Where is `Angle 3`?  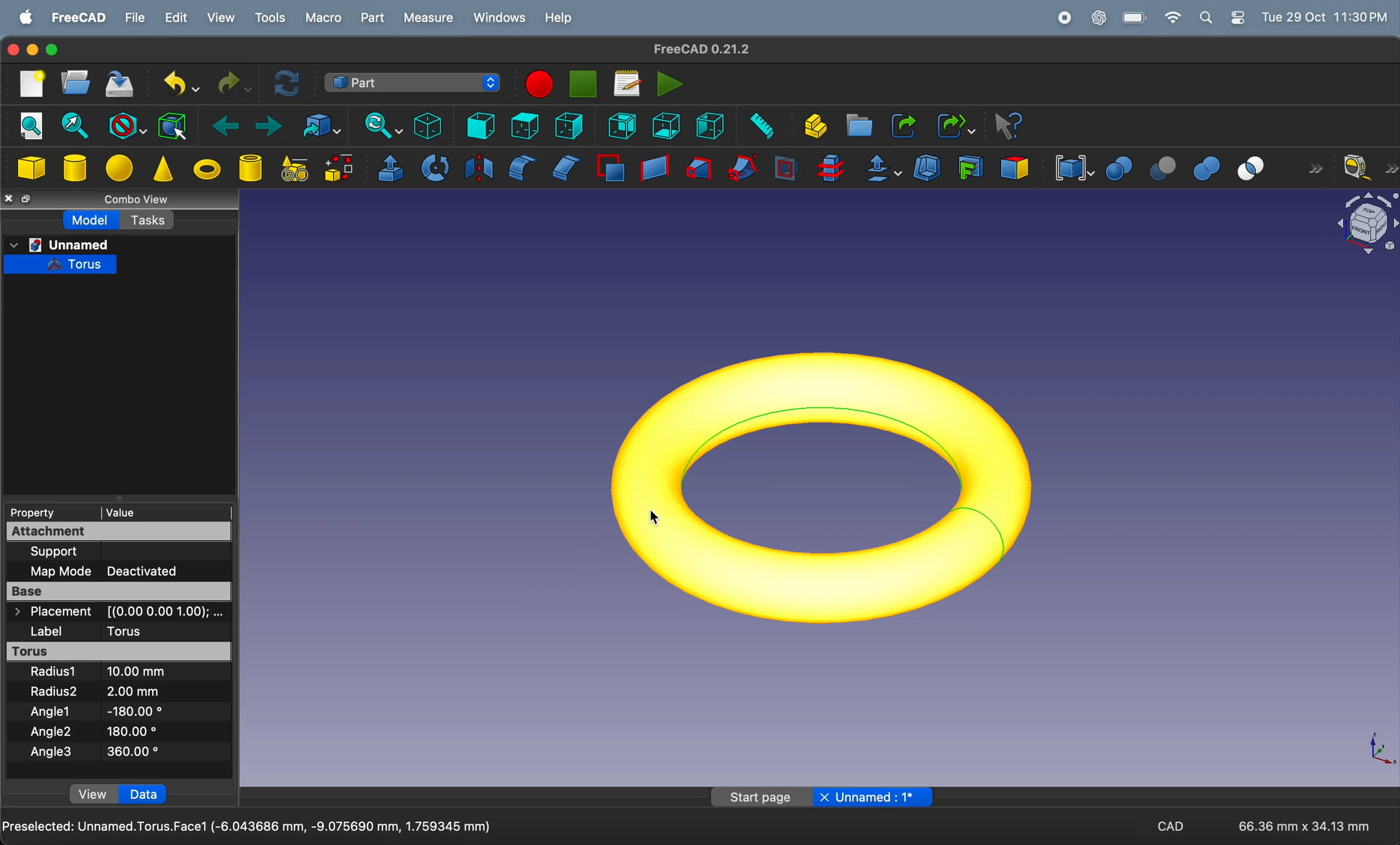 Angle 3 is located at coordinates (51, 753).